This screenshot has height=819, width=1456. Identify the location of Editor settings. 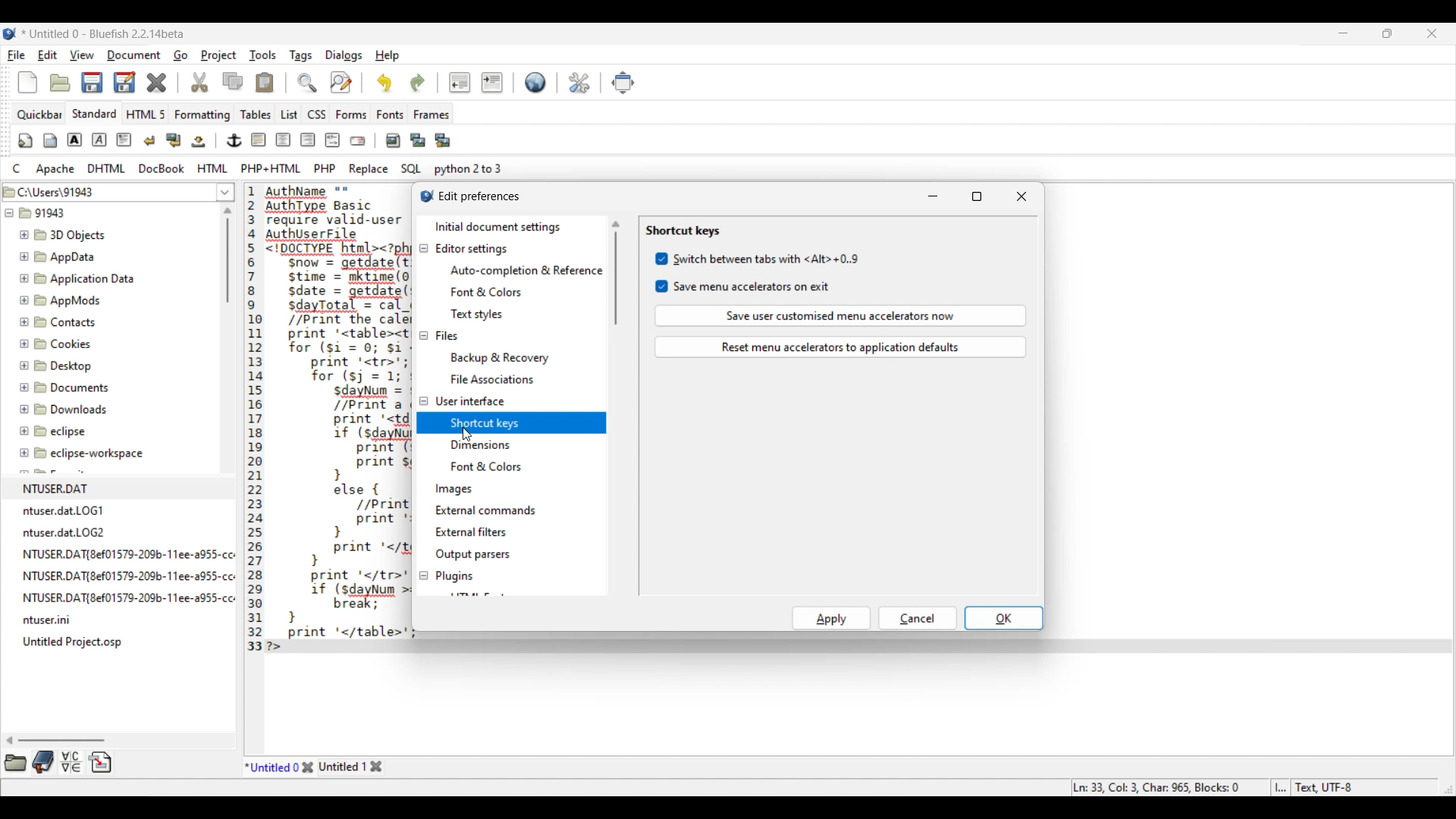
(471, 249).